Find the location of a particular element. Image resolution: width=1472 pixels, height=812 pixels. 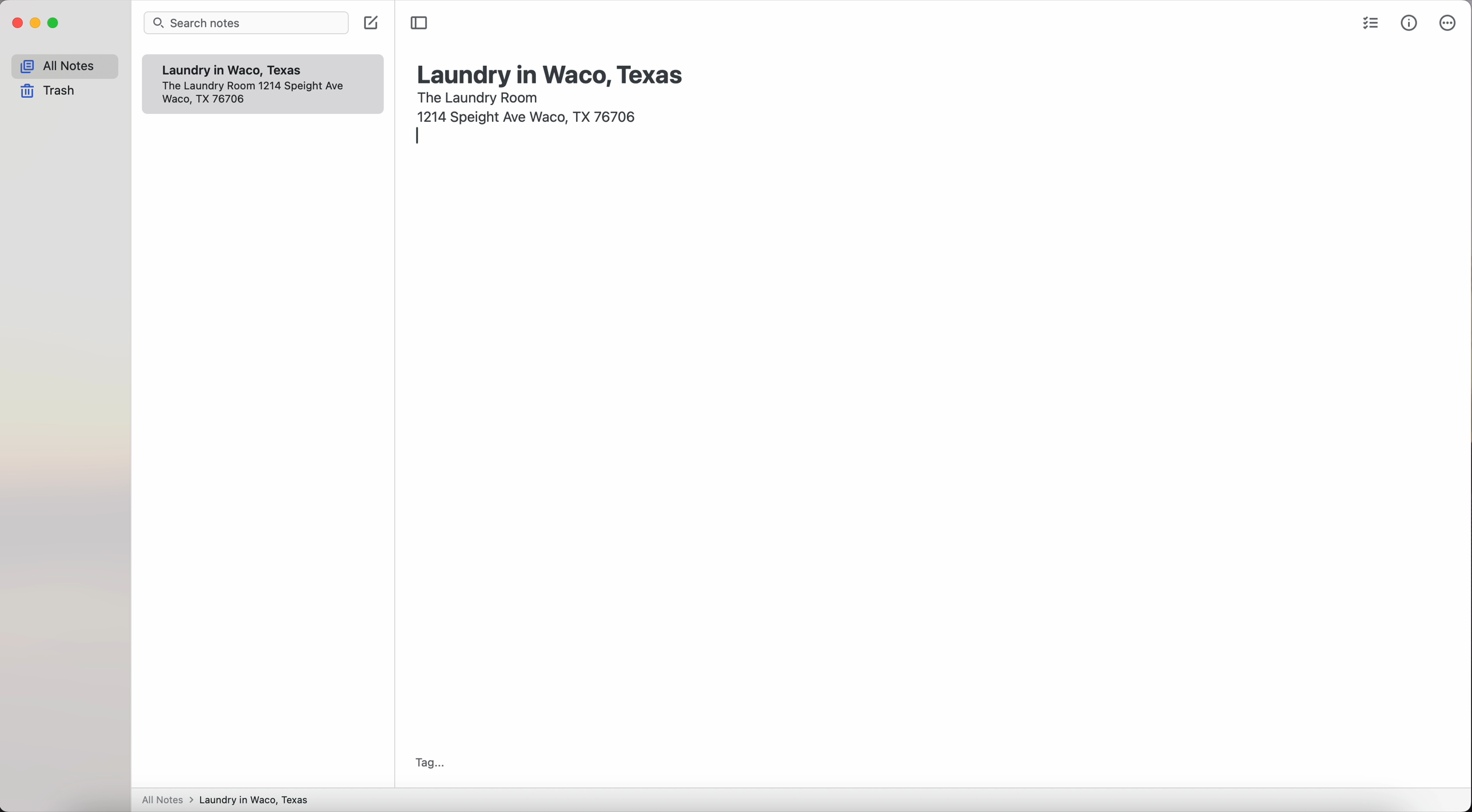

tag is located at coordinates (426, 763).